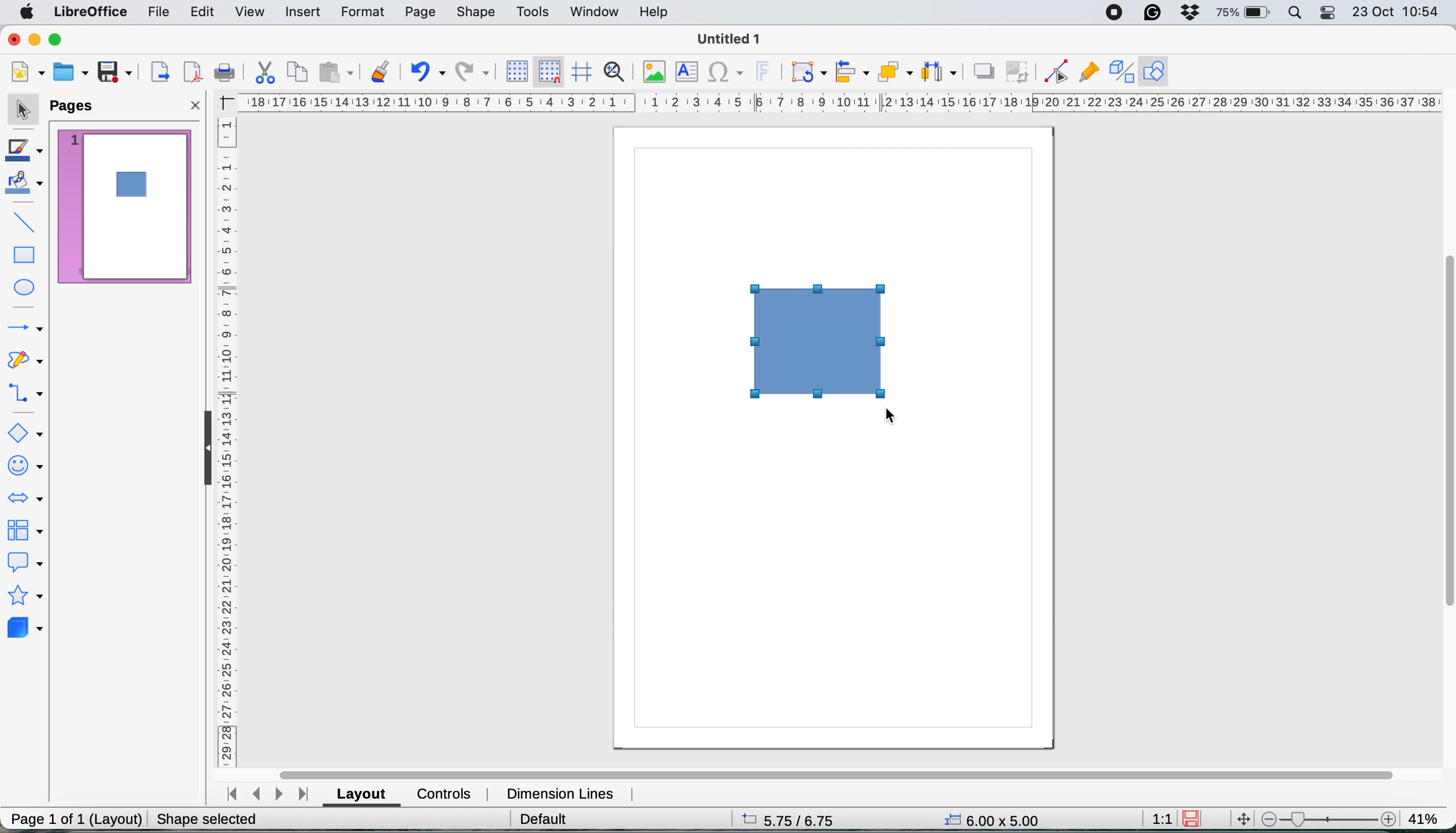  I want to click on print, so click(222, 74).